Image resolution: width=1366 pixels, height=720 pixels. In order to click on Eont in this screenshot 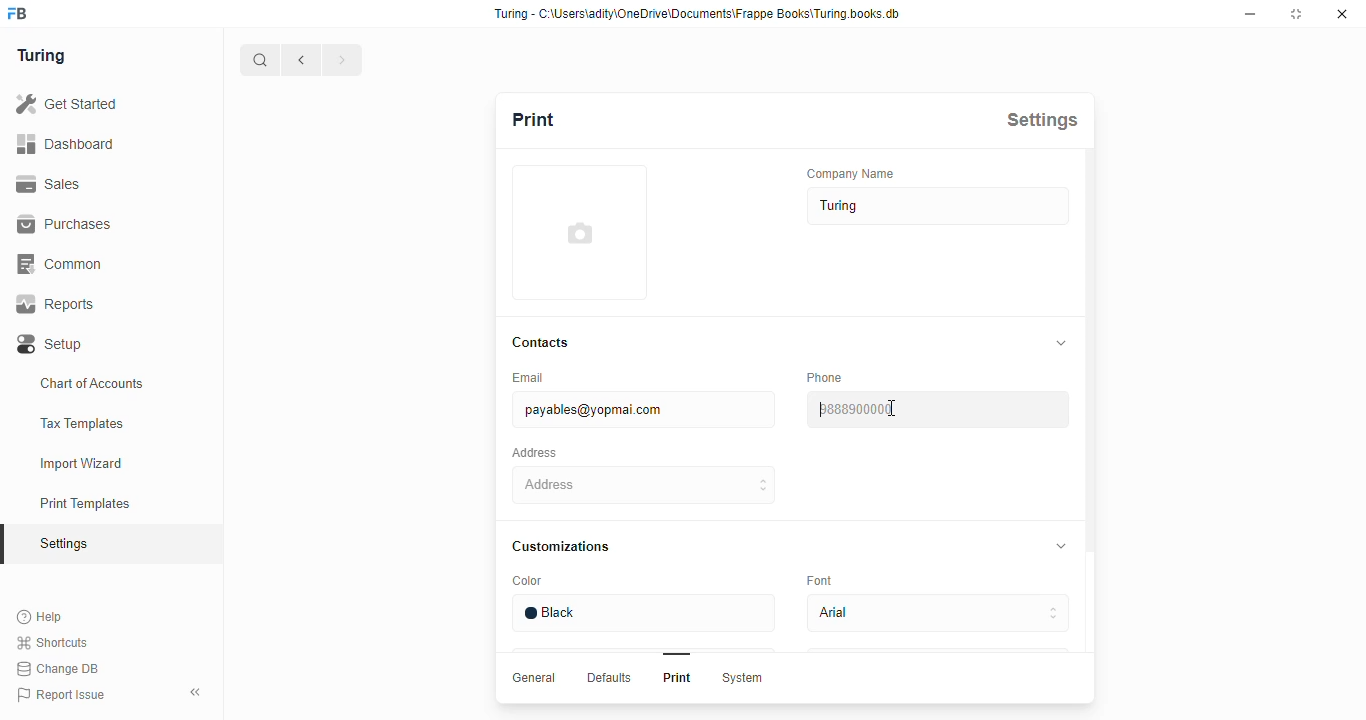, I will do `click(822, 578)`.